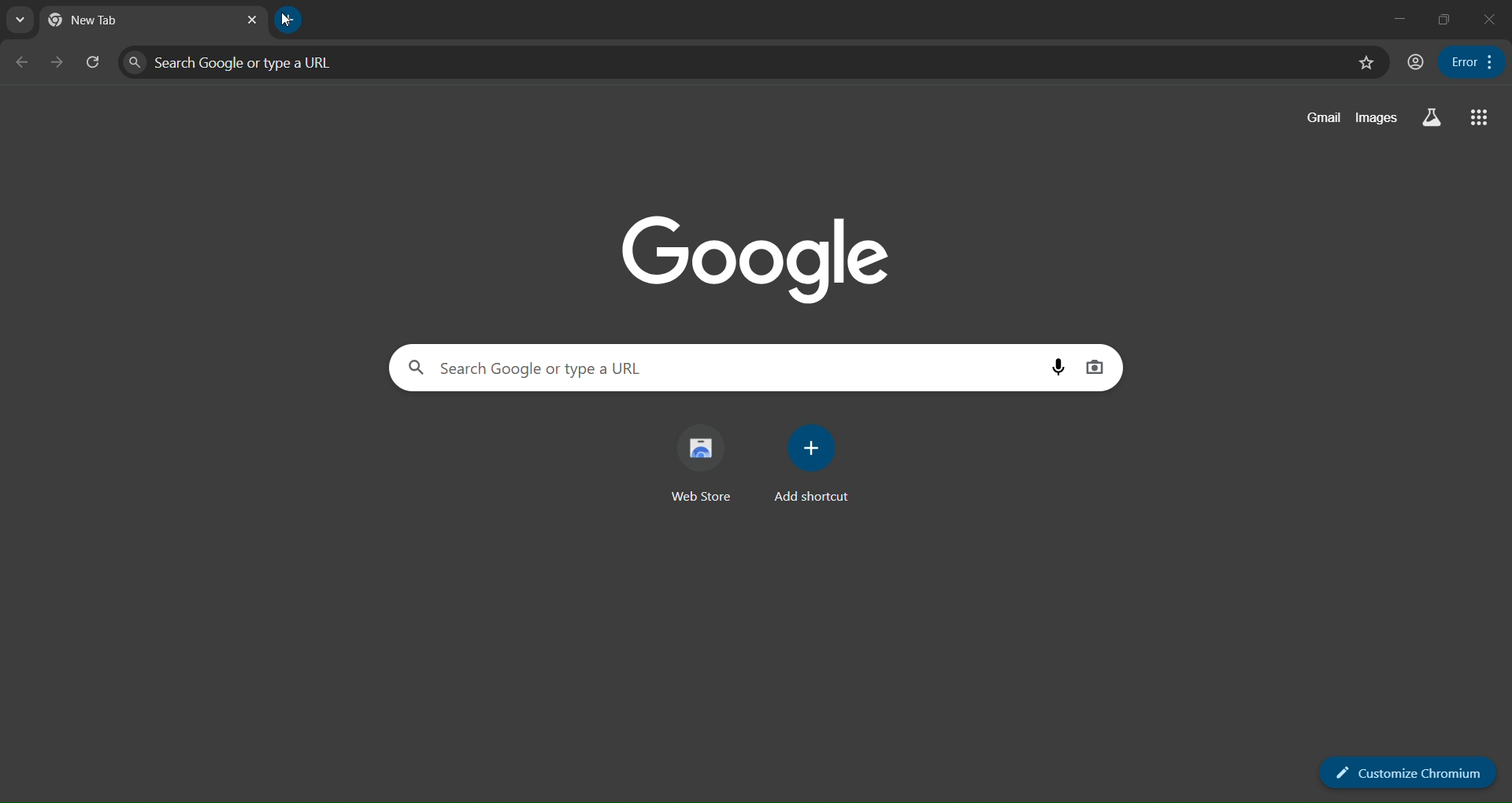 The width and height of the screenshot is (1512, 803). I want to click on bookmark, so click(1358, 65).